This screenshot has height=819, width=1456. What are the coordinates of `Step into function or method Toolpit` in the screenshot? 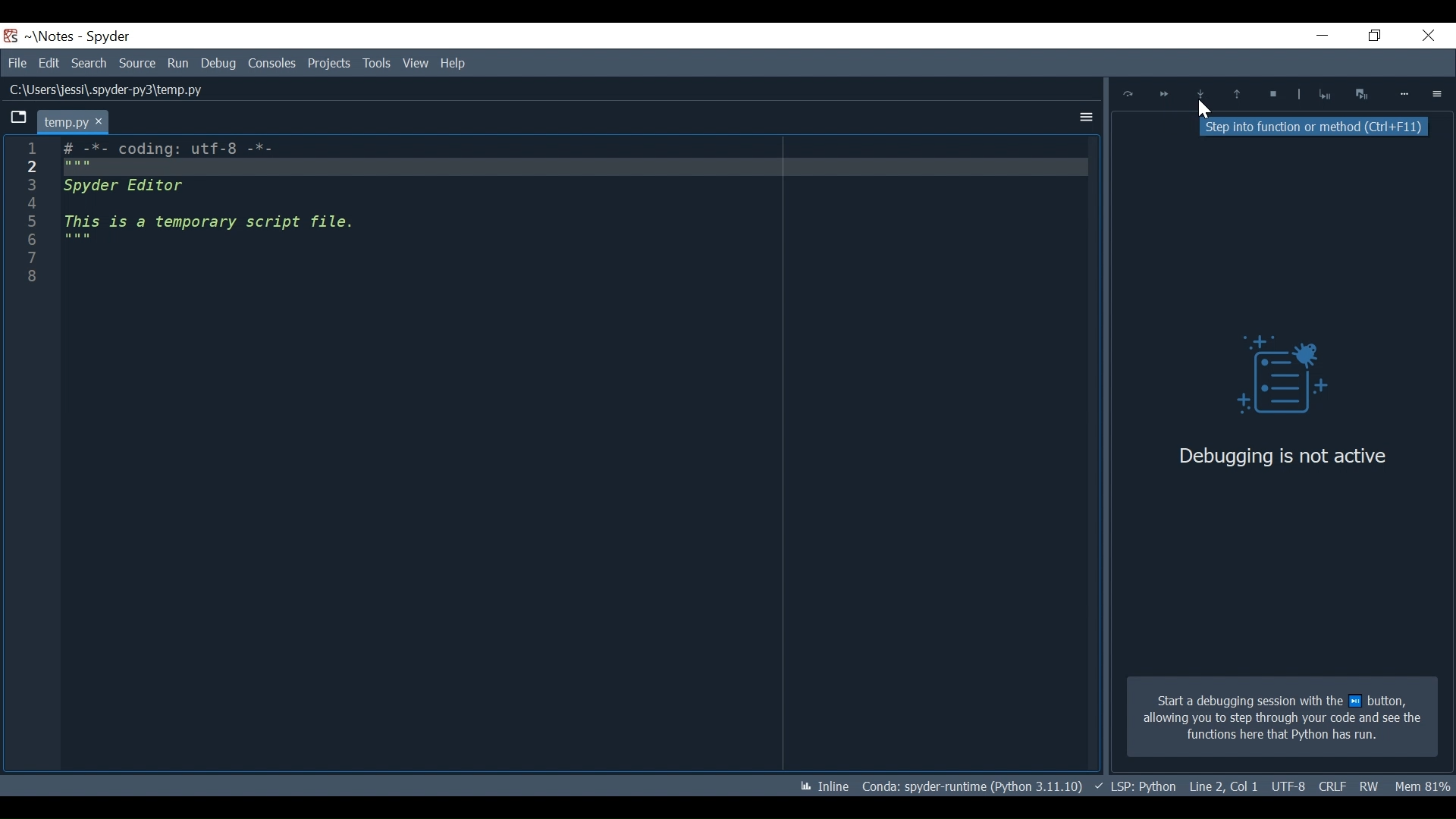 It's located at (1317, 127).